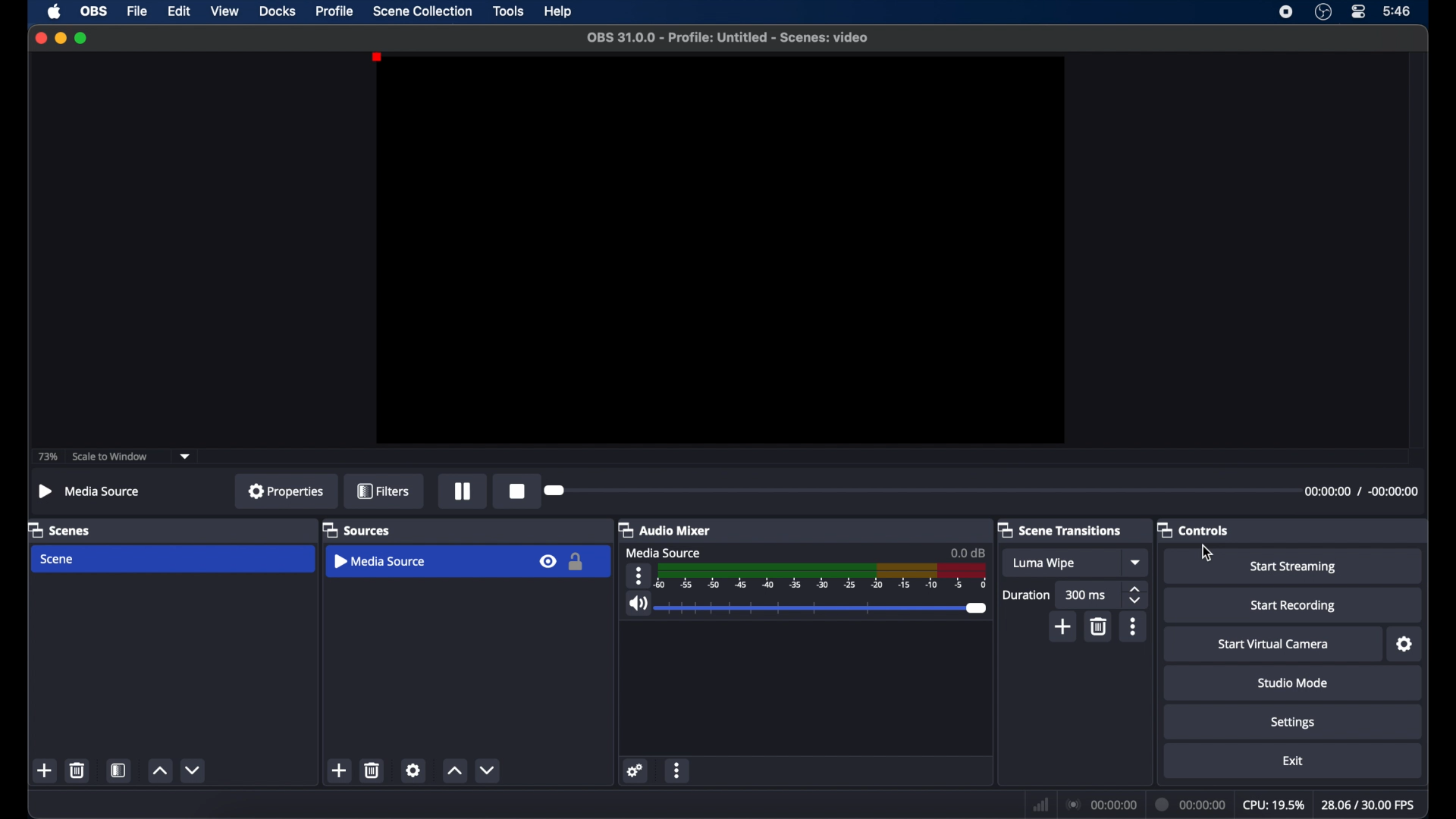  What do you see at coordinates (1209, 552) in the screenshot?
I see `cursor` at bounding box center [1209, 552].